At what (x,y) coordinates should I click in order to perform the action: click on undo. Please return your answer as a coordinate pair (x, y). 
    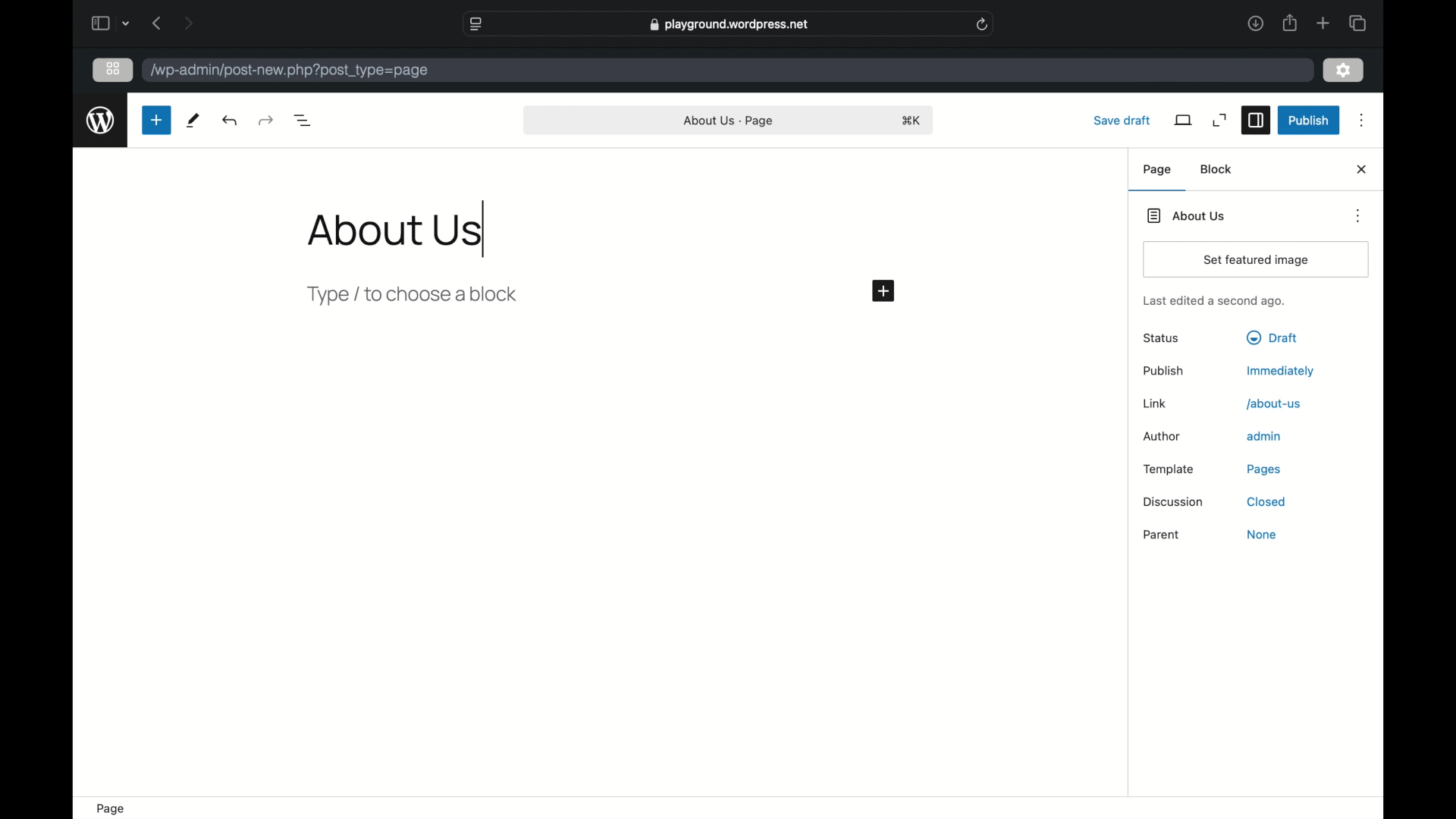
    Looking at the image, I should click on (265, 121).